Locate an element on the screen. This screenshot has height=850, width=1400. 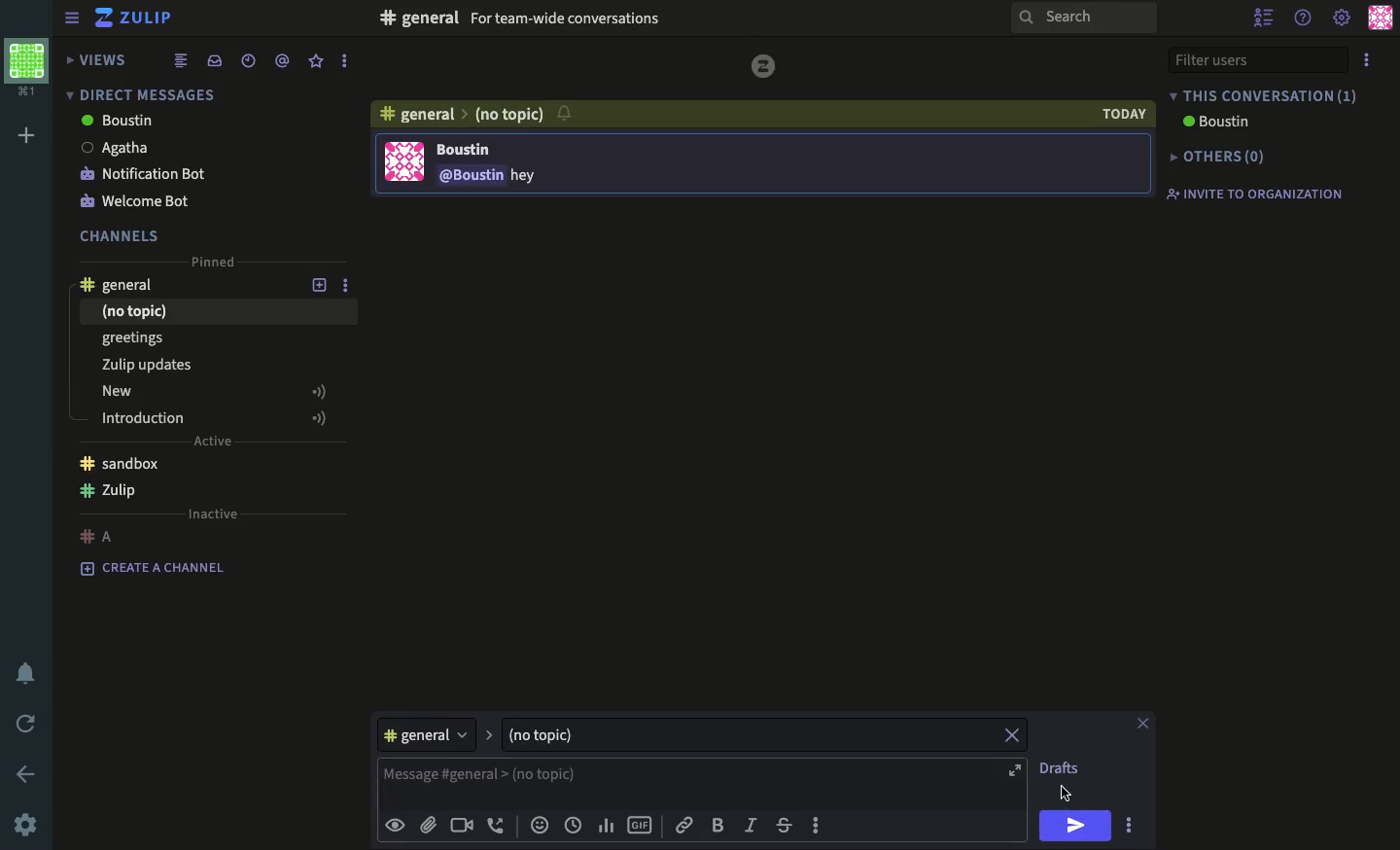
time is located at coordinates (575, 826).